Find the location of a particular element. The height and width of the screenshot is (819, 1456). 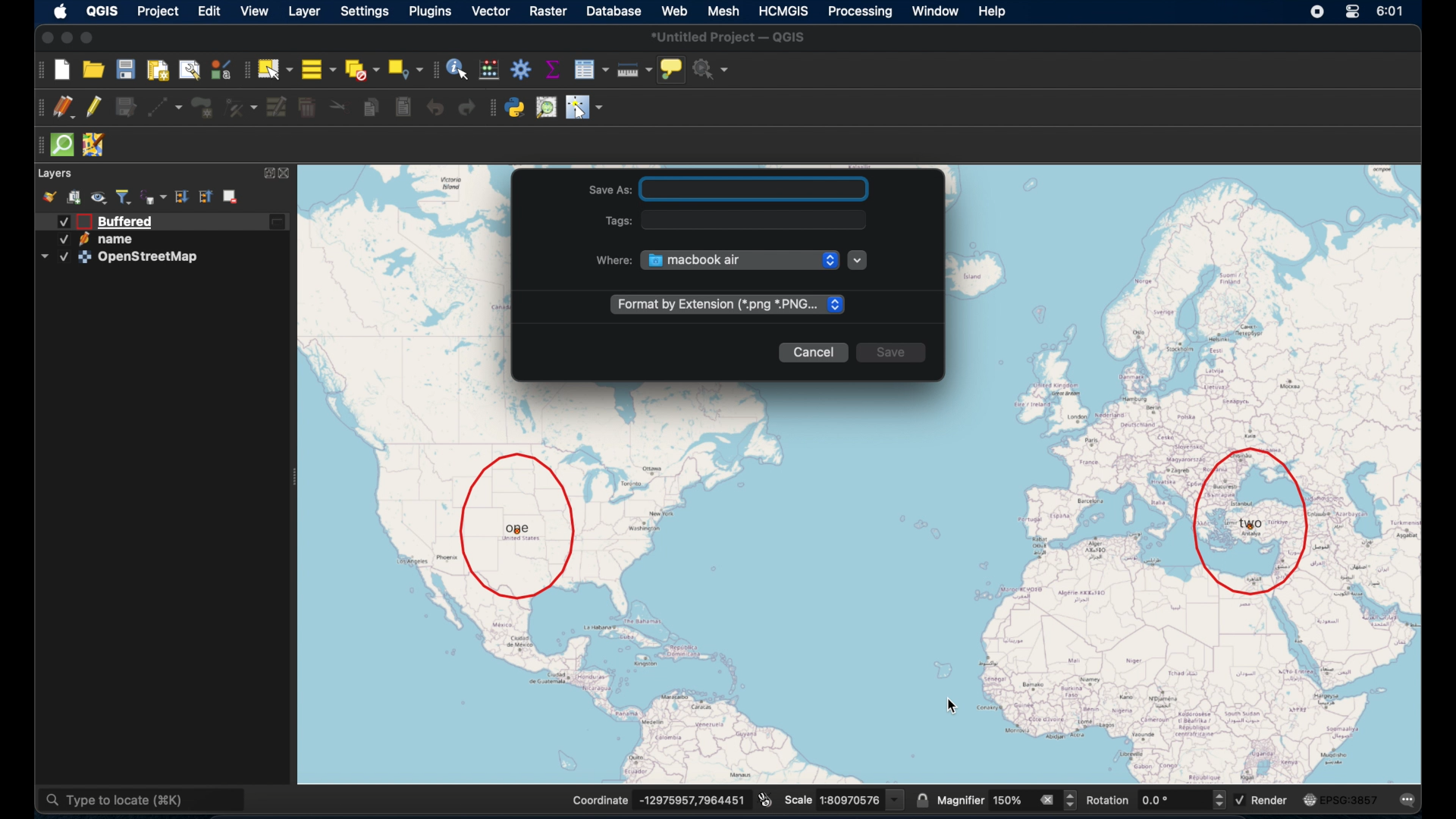

scale value is located at coordinates (861, 798).